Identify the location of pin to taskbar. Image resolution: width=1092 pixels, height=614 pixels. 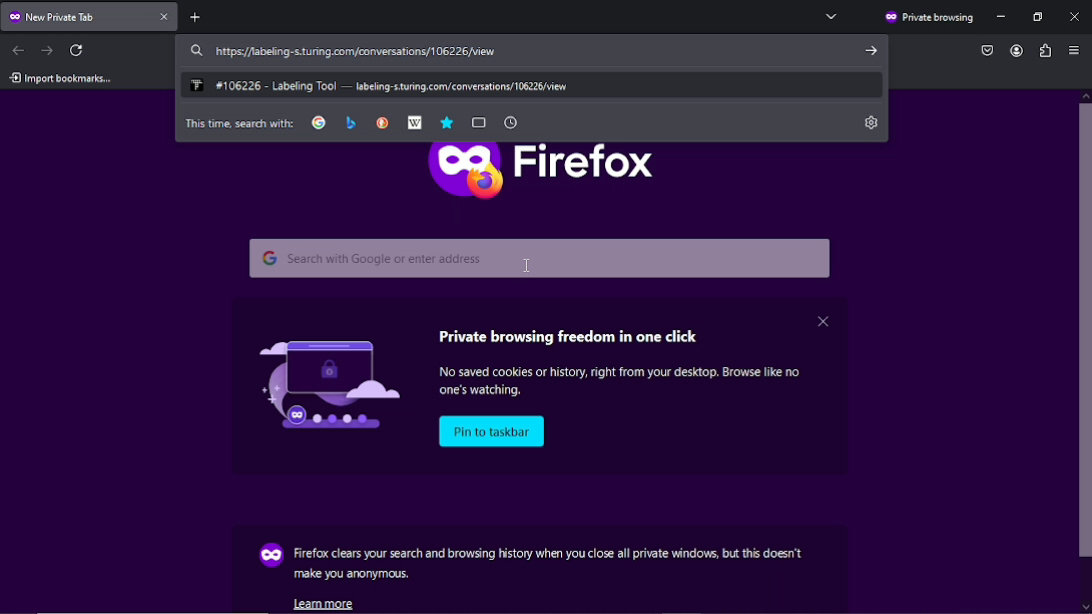
(494, 432).